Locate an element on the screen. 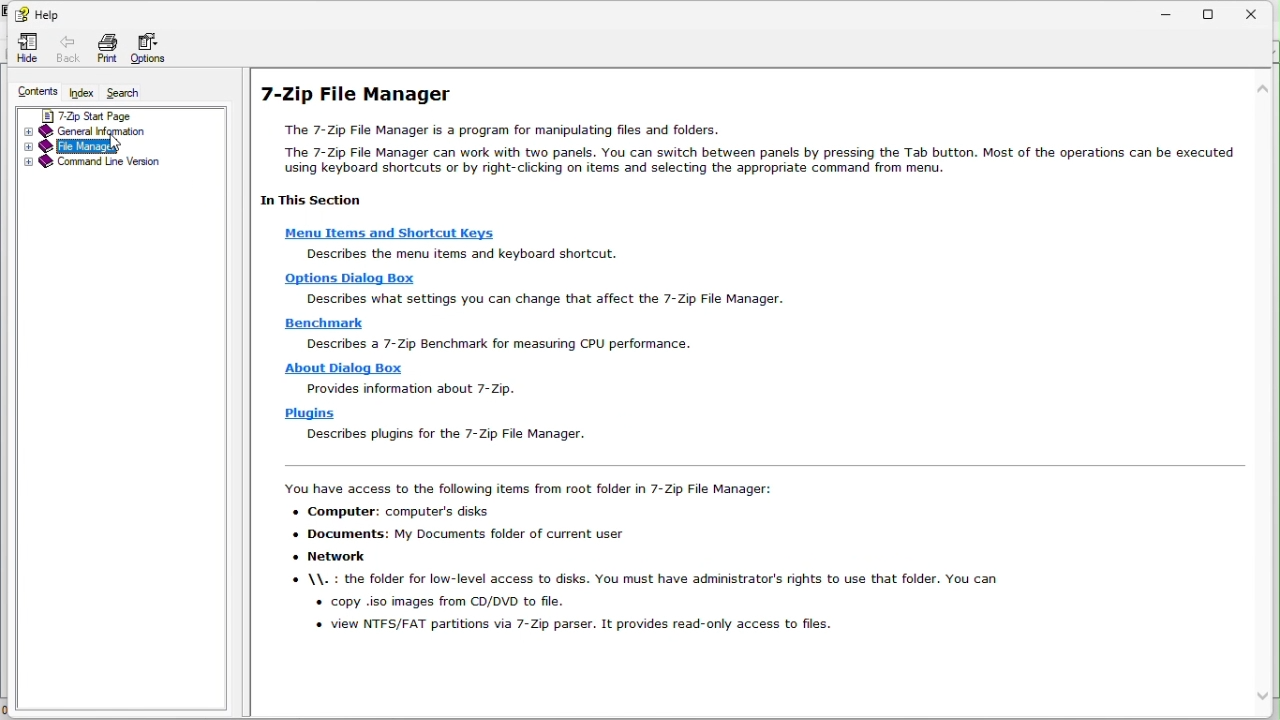  index is located at coordinates (83, 93).